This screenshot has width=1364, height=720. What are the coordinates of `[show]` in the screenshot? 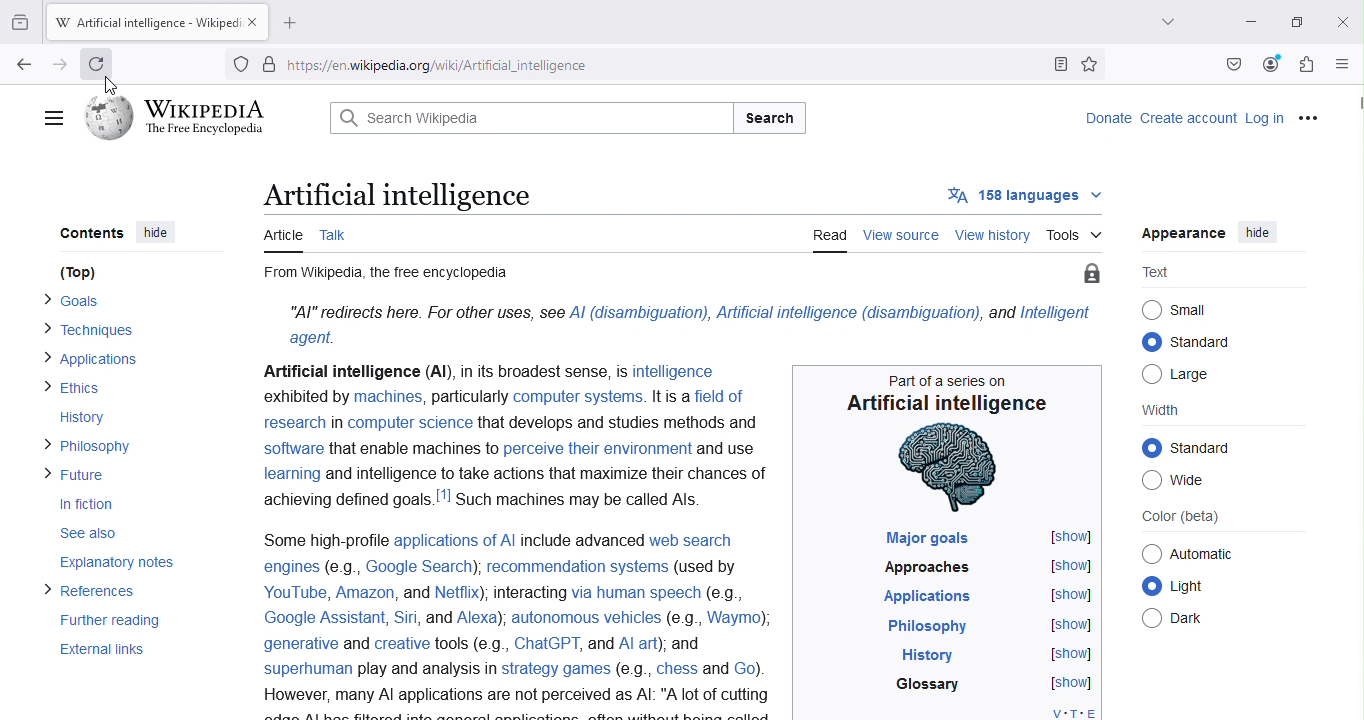 It's located at (1071, 568).